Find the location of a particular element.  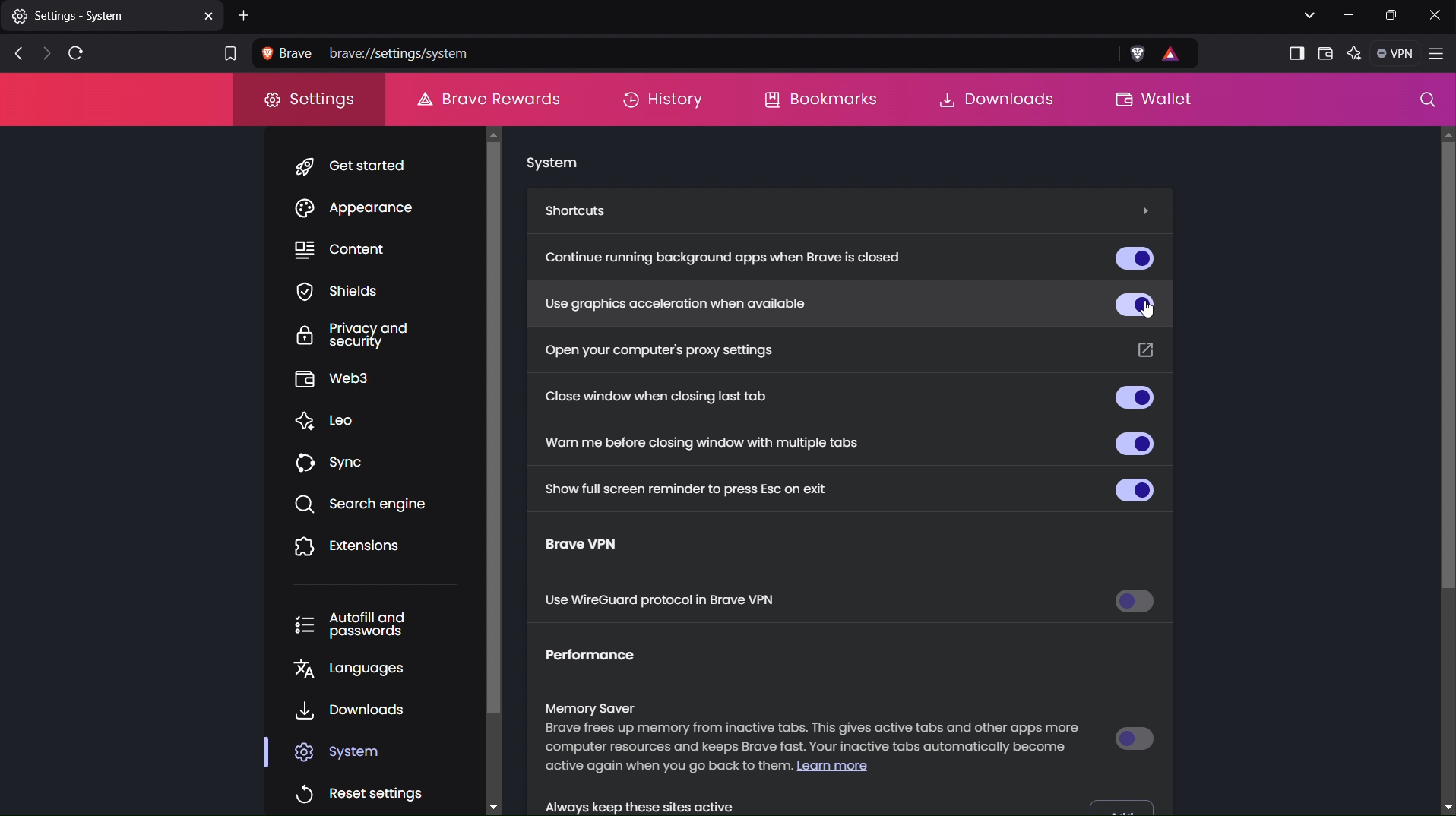

Web3 is located at coordinates (357, 381).